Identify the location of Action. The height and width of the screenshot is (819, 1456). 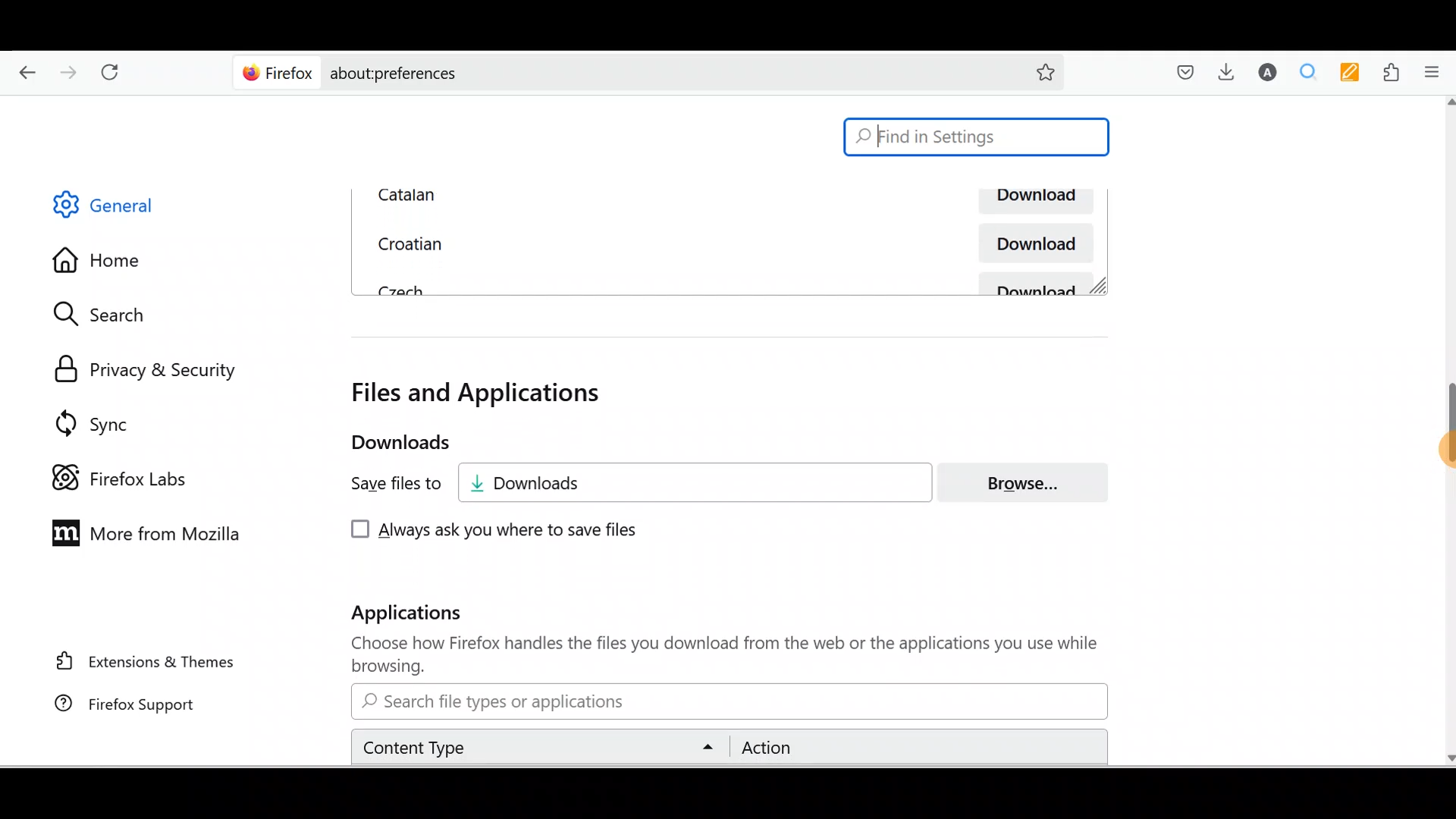
(914, 748).